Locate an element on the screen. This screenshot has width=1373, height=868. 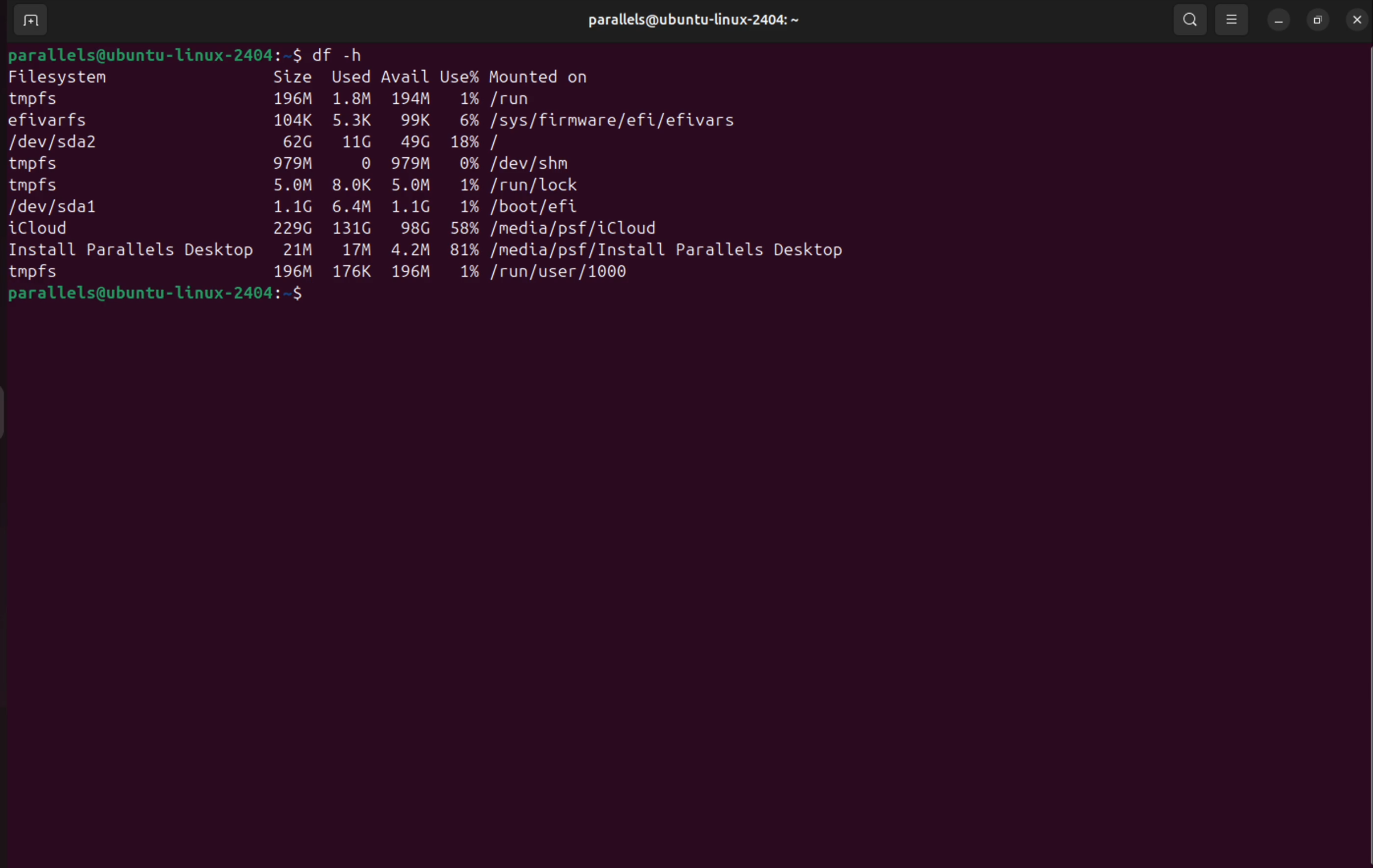
df -h is located at coordinates (339, 52).